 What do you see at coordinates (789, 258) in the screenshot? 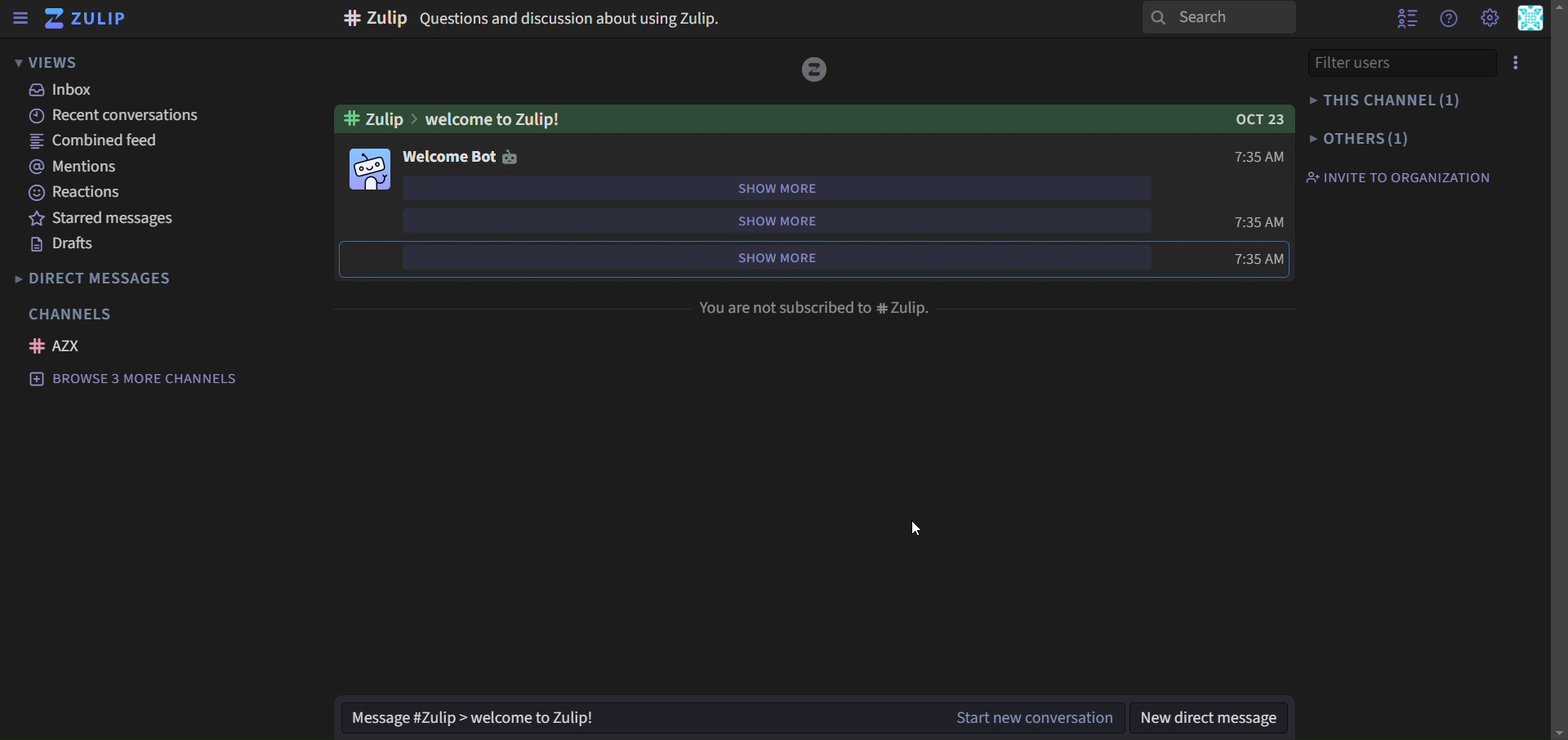
I see `show more` at bounding box center [789, 258].